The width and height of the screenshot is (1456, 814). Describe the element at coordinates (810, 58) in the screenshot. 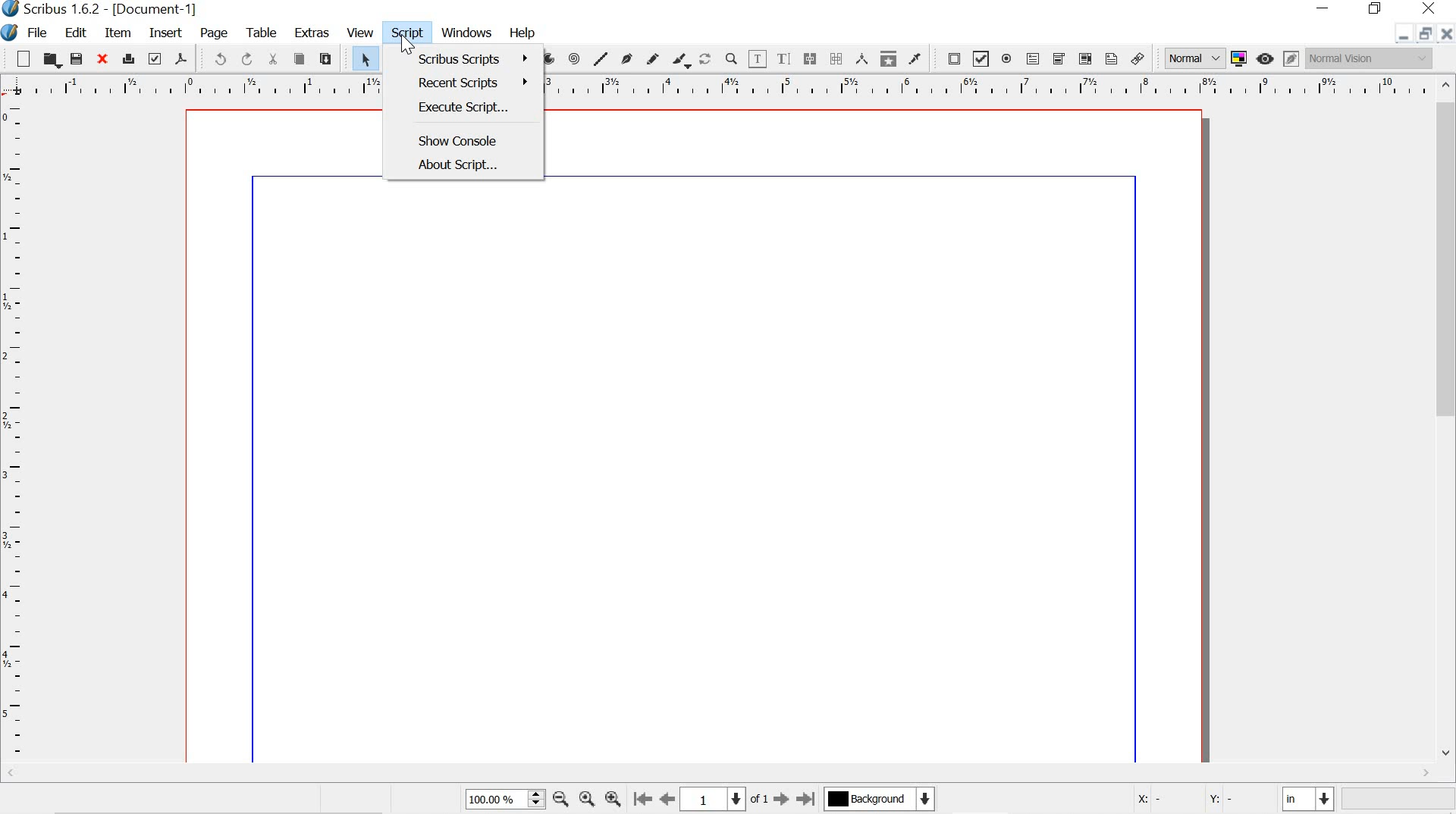

I see `link text frames` at that location.